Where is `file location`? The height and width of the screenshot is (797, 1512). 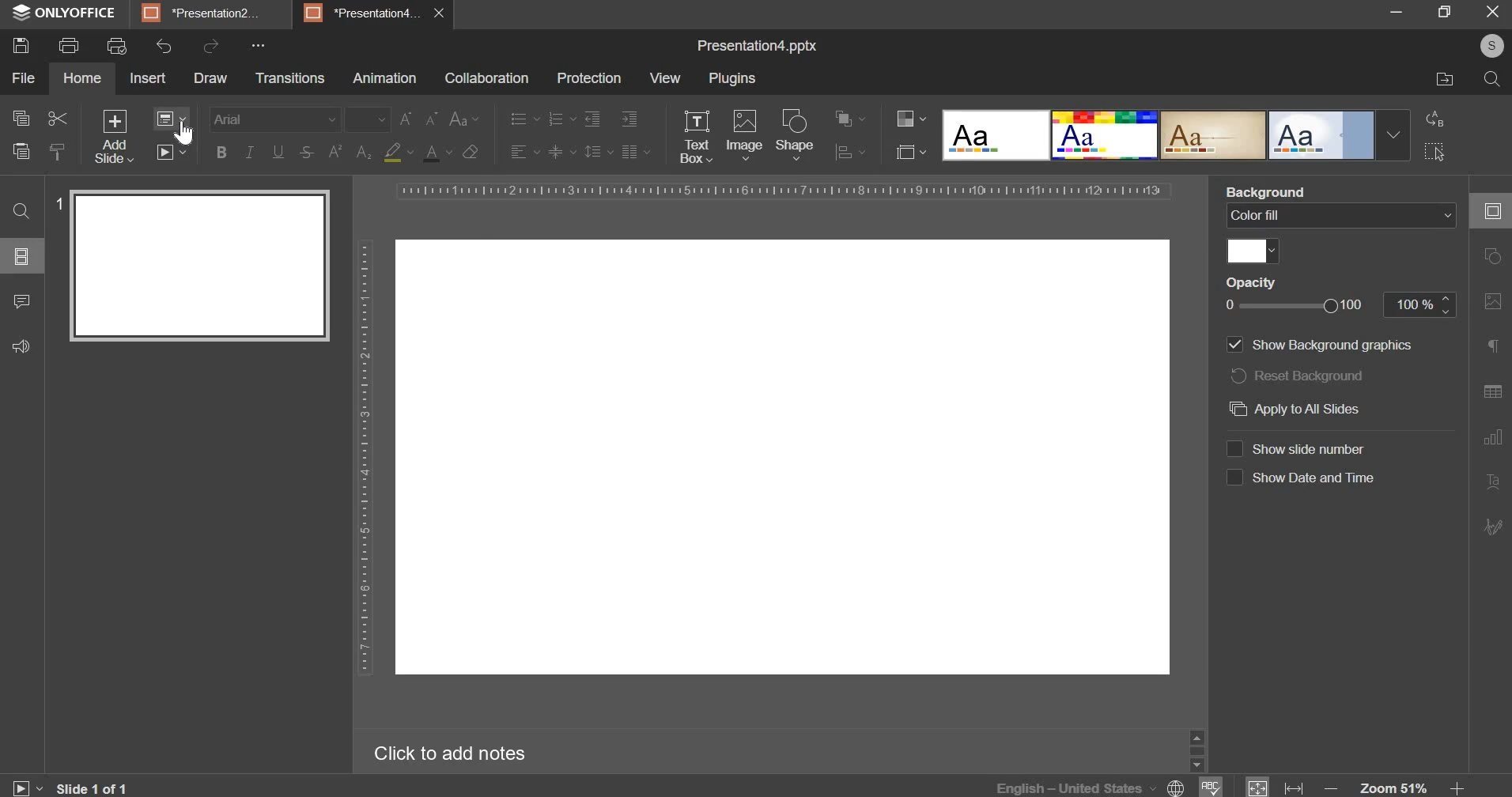
file location is located at coordinates (1445, 80).